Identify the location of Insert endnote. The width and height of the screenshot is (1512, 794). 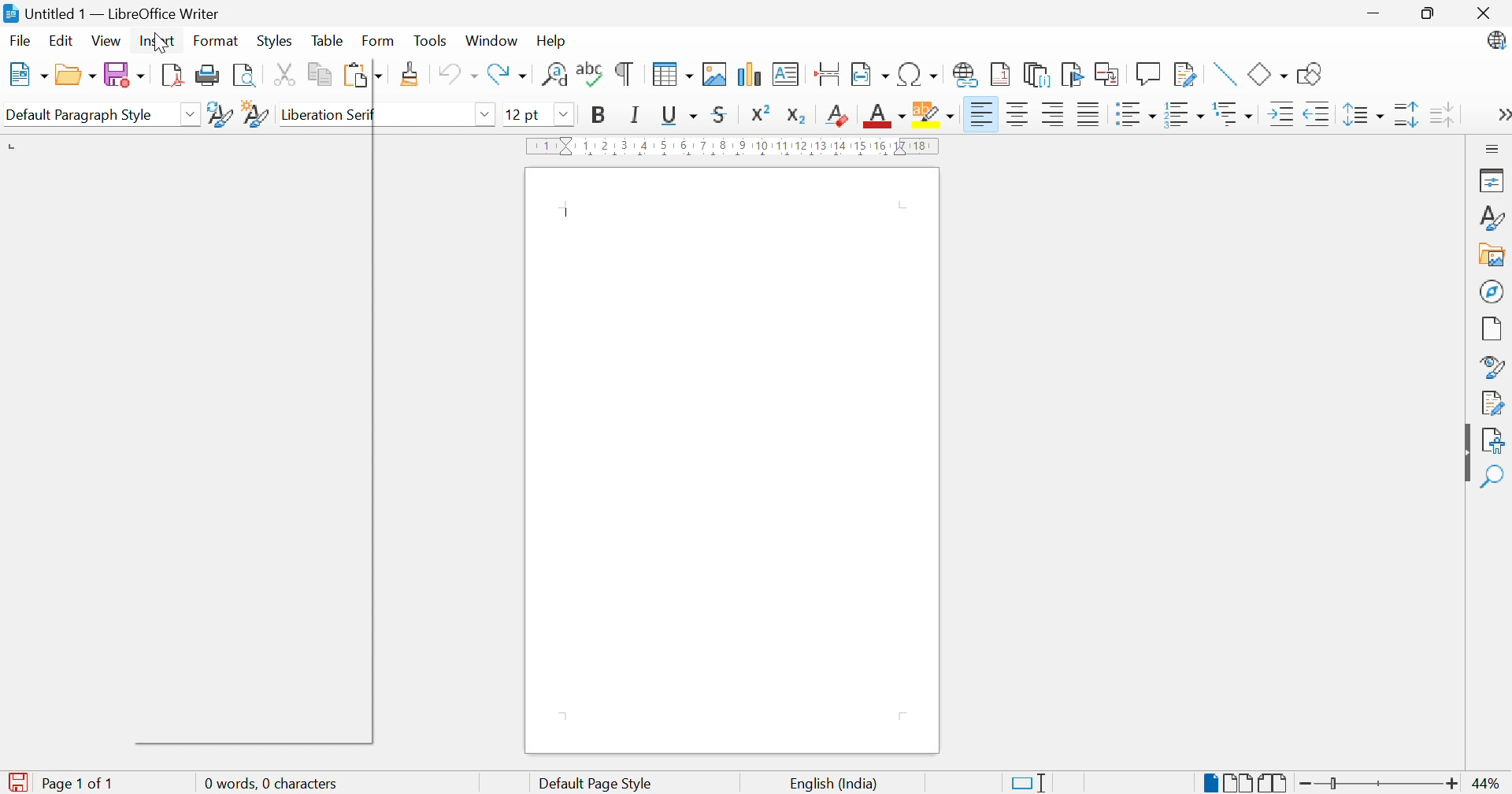
(1037, 76).